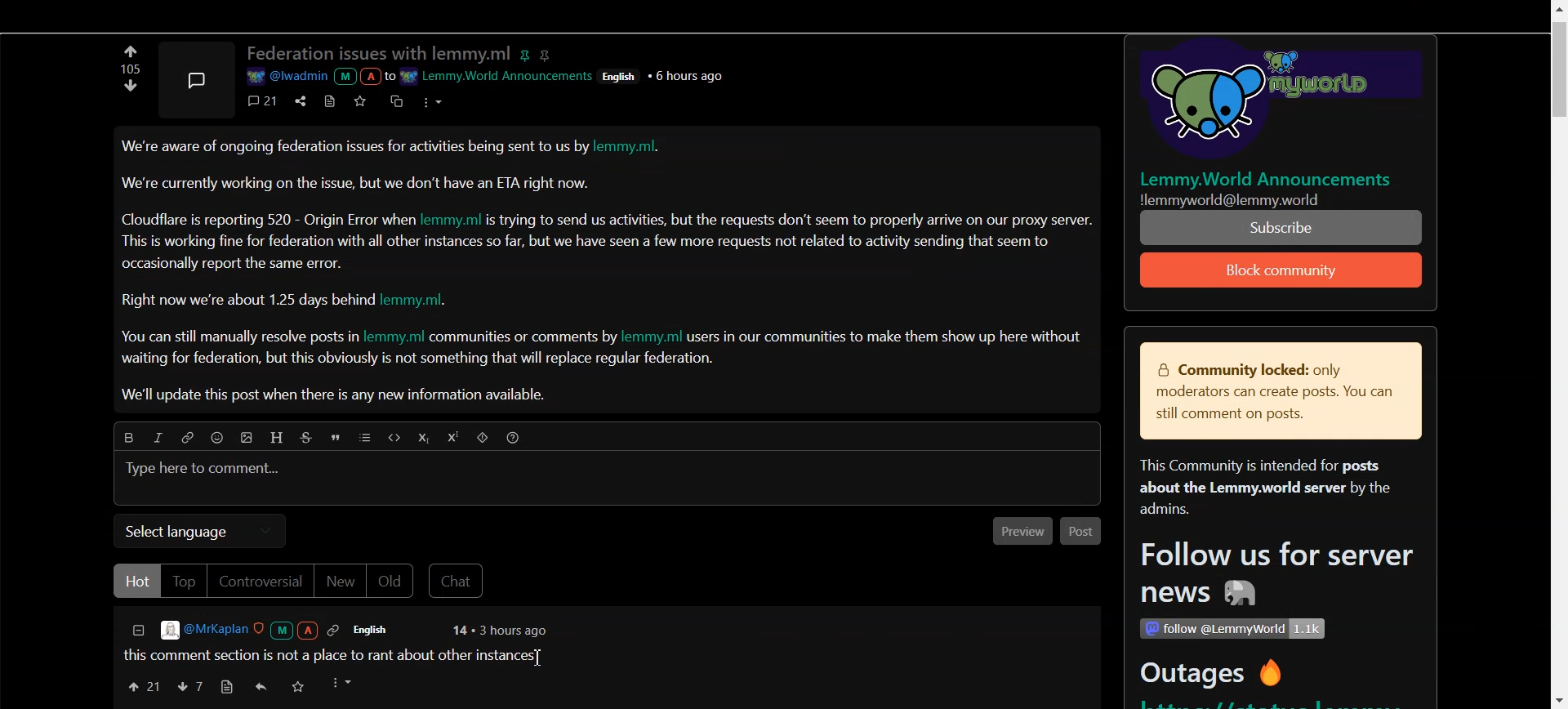  Describe the element at coordinates (199, 531) in the screenshot. I see `Select language` at that location.